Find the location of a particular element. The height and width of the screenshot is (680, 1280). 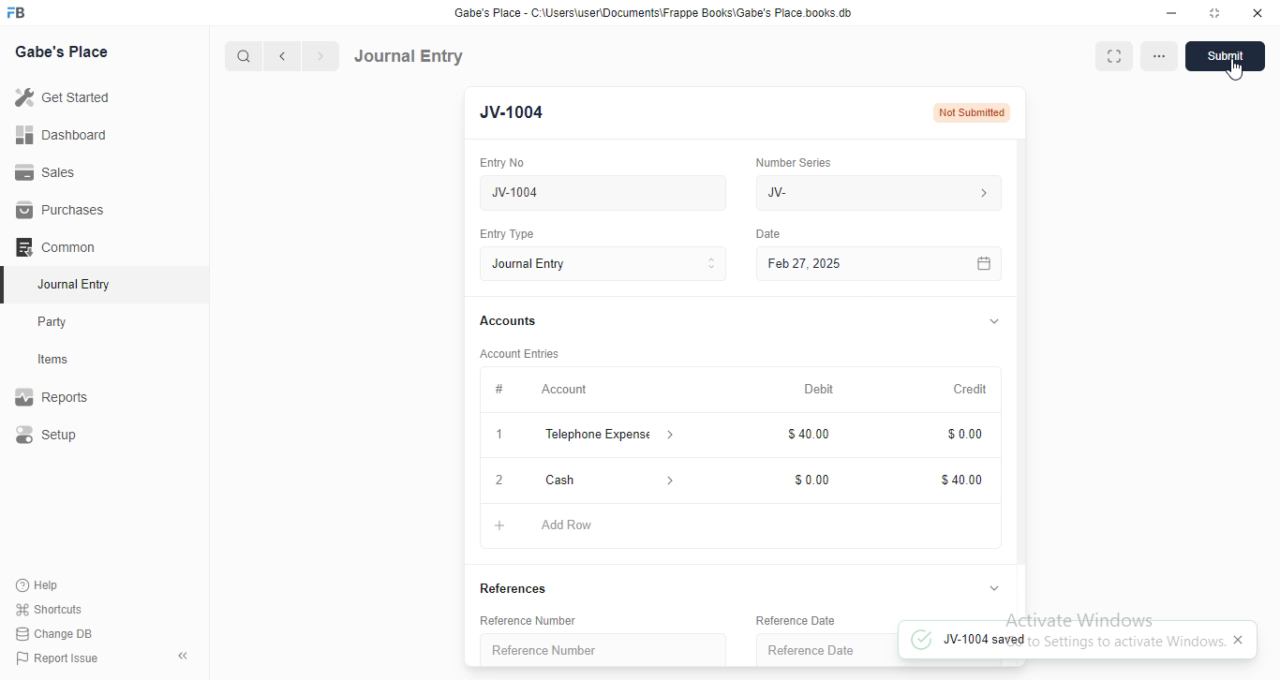

Hide is located at coordinates (989, 587).